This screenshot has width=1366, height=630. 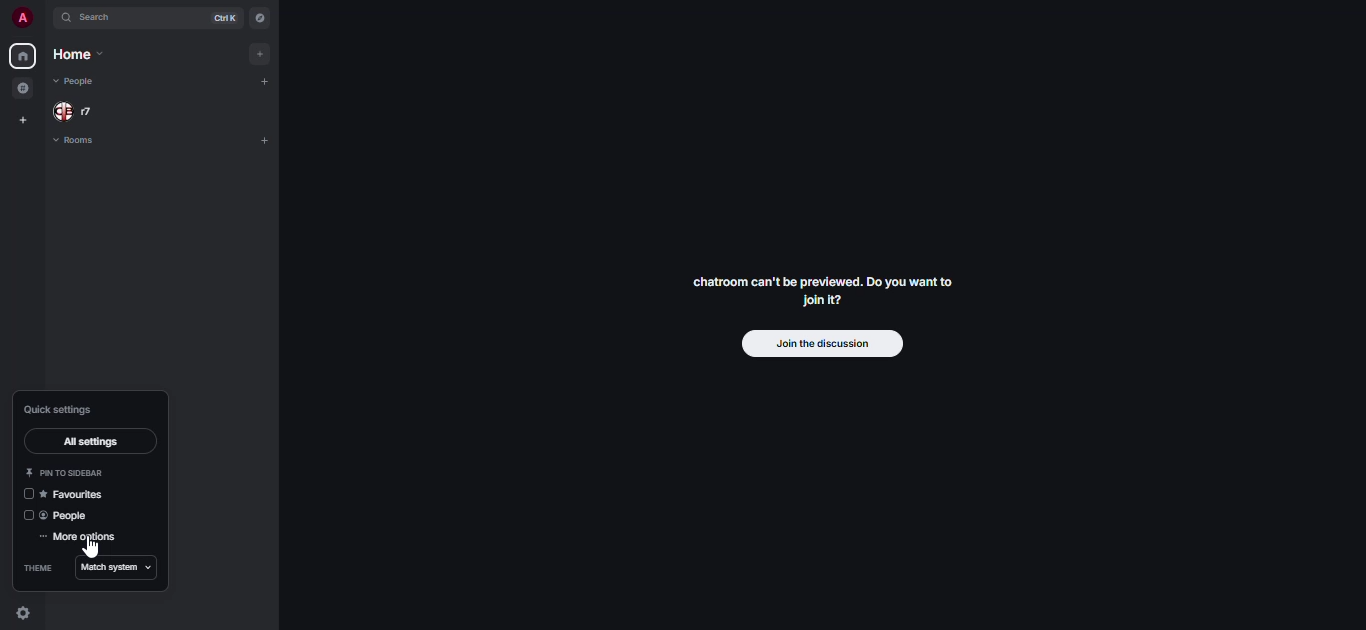 What do you see at coordinates (22, 613) in the screenshot?
I see `quick settings` at bounding box center [22, 613].